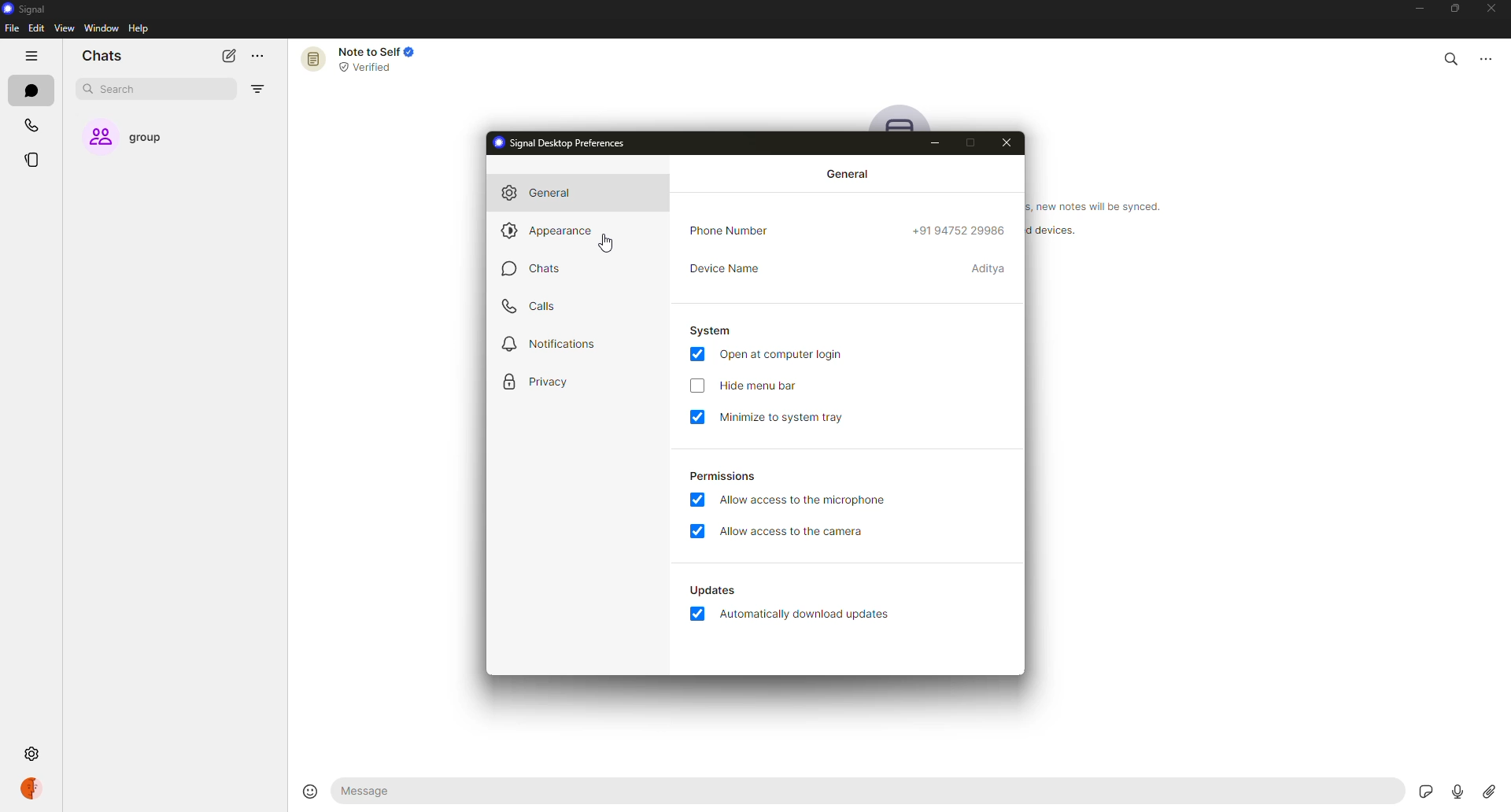 The width and height of the screenshot is (1511, 812). Describe the element at coordinates (1106, 209) in the screenshot. I see `info` at that location.